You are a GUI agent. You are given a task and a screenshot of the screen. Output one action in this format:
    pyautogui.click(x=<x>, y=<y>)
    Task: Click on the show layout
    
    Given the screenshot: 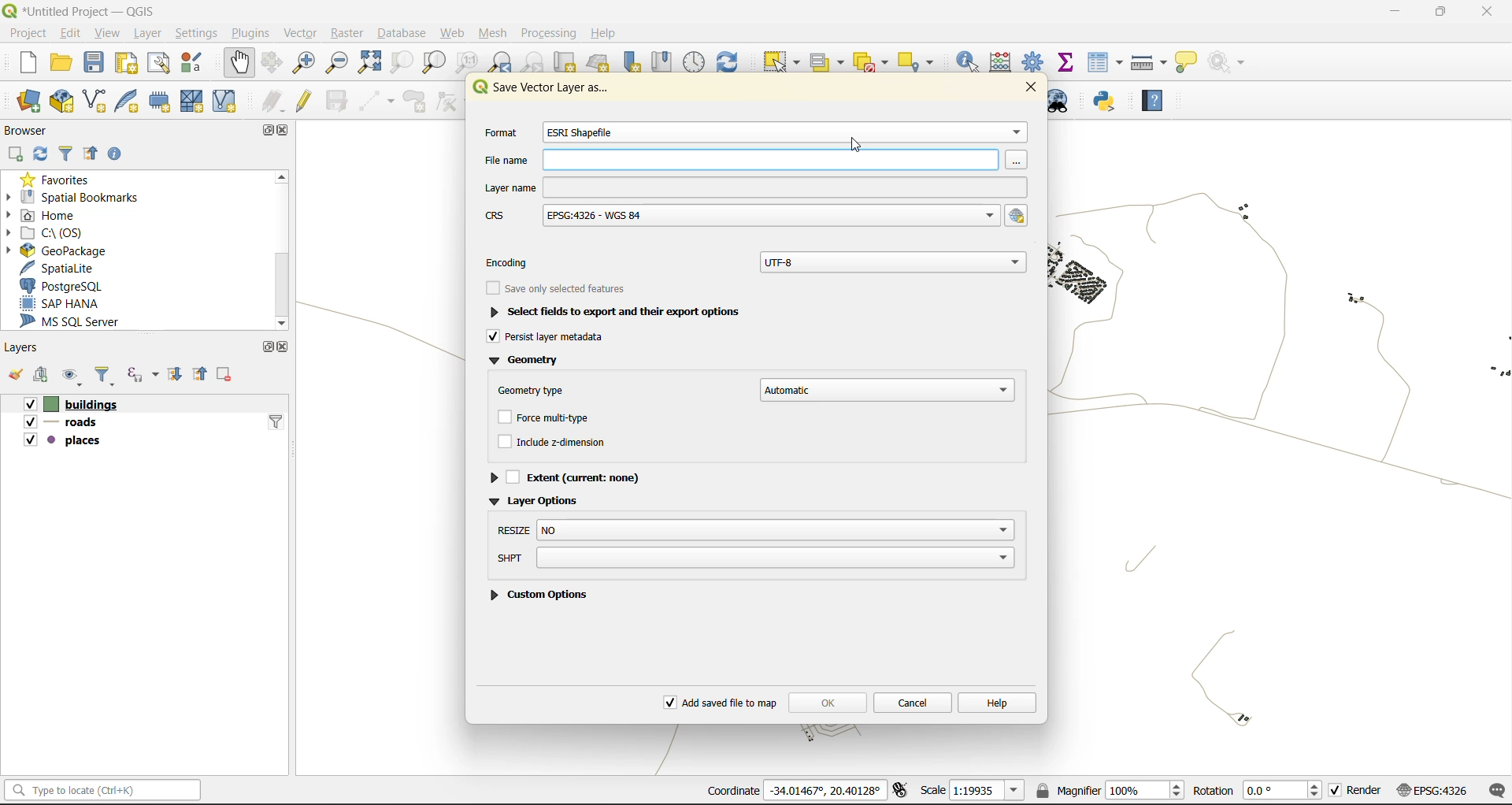 What is the action you would take?
    pyautogui.click(x=160, y=63)
    